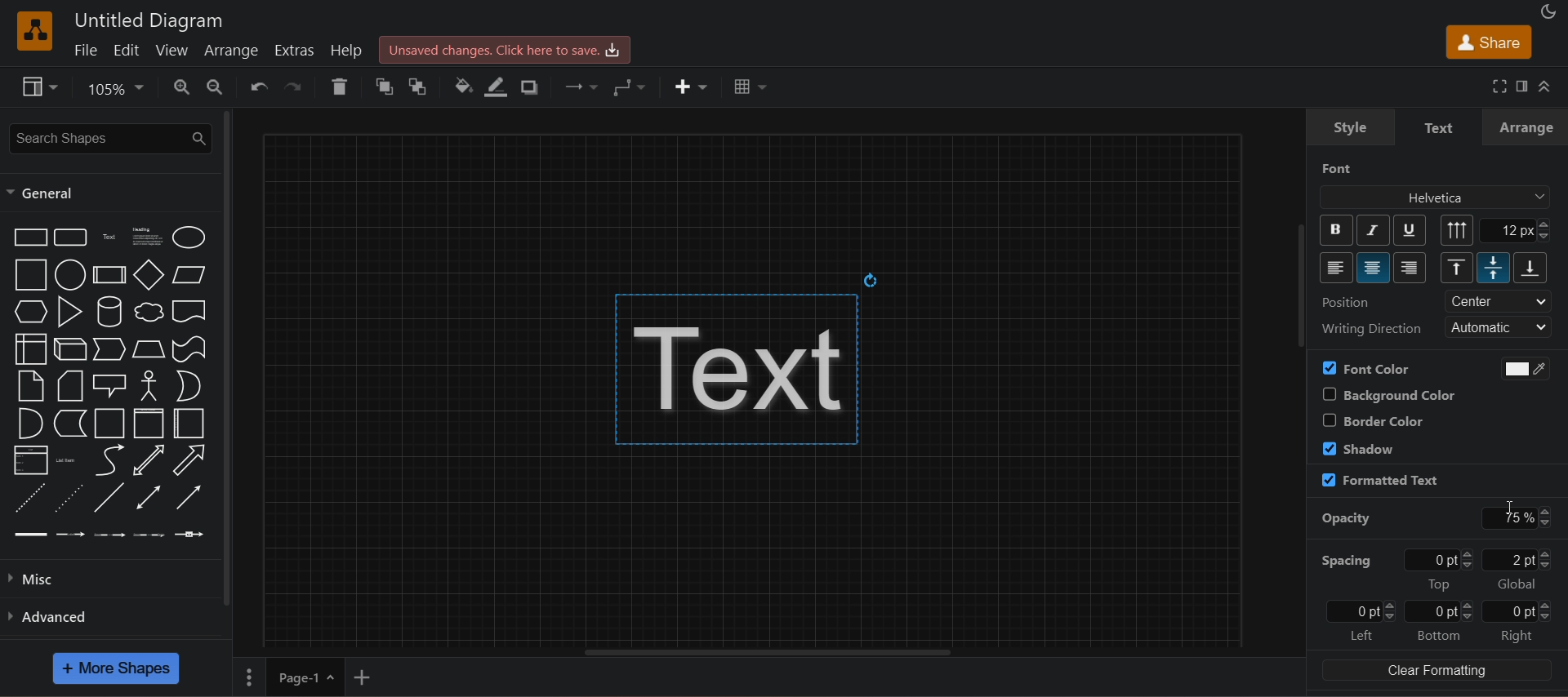 Image resolution: width=1568 pixels, height=697 pixels. What do you see at coordinates (1410, 229) in the screenshot?
I see `underline` at bounding box center [1410, 229].